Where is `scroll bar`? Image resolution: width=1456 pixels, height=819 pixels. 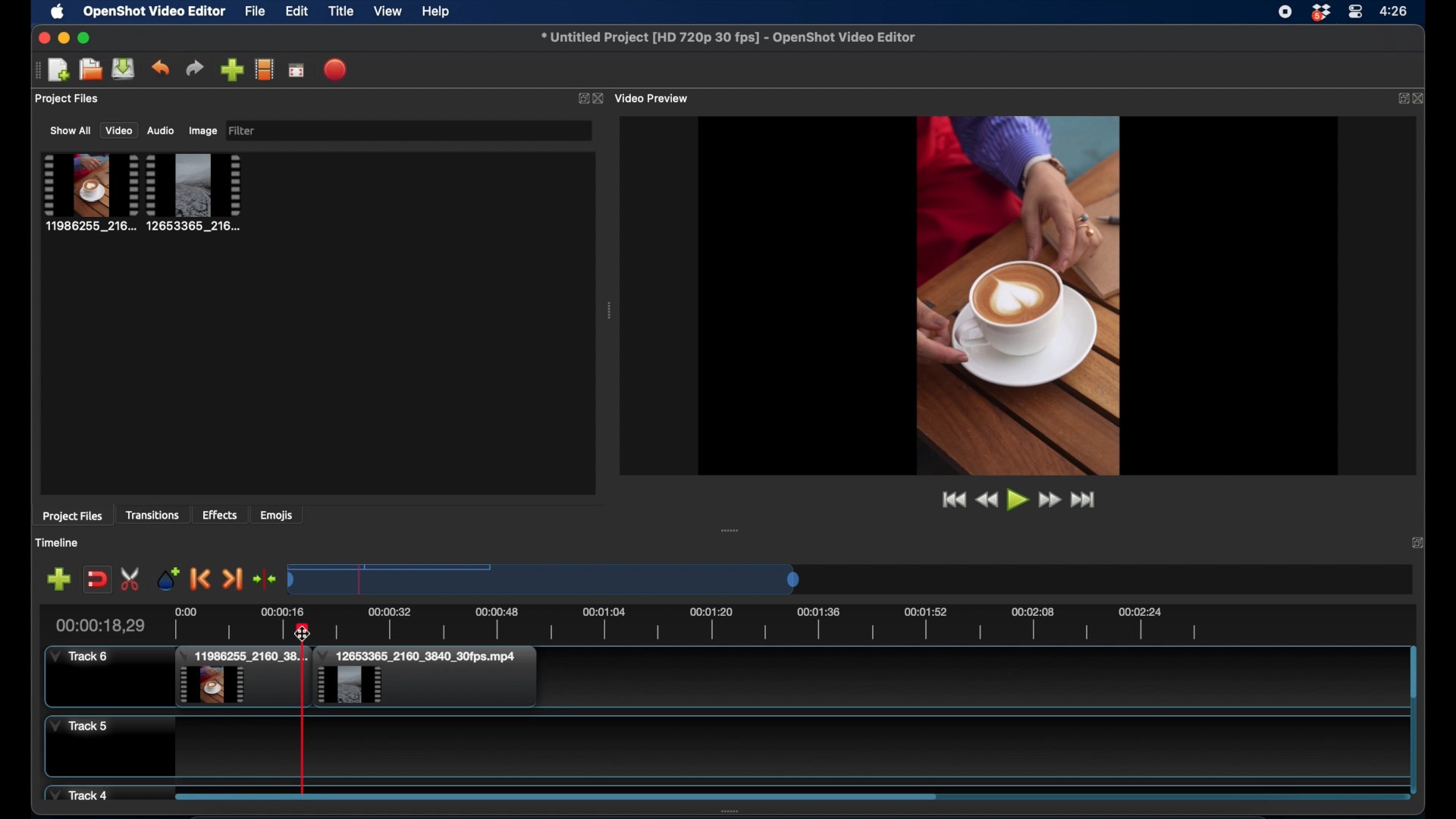
scroll bar is located at coordinates (1413, 673).